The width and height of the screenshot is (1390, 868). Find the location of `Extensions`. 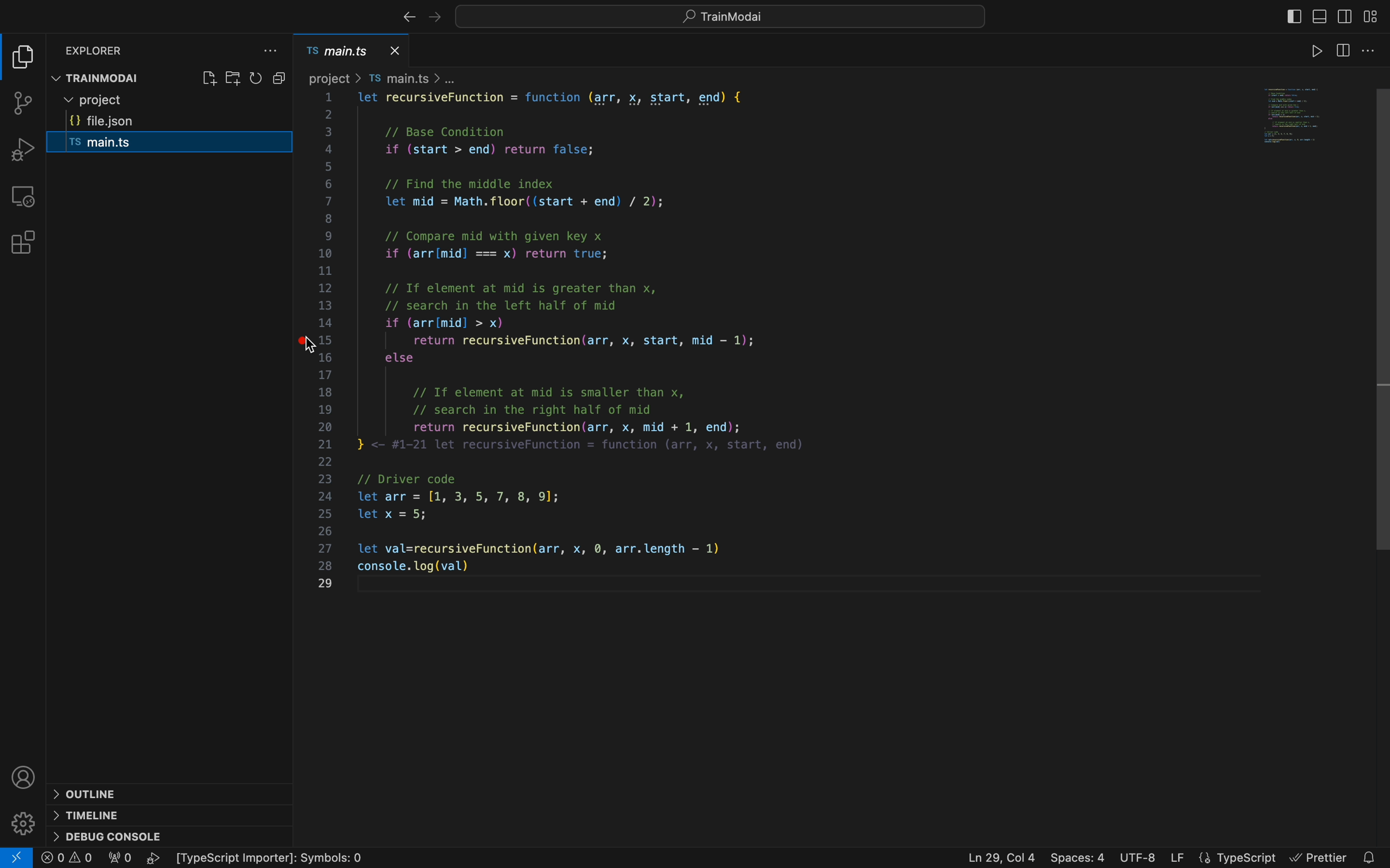

Extensions is located at coordinates (25, 243).